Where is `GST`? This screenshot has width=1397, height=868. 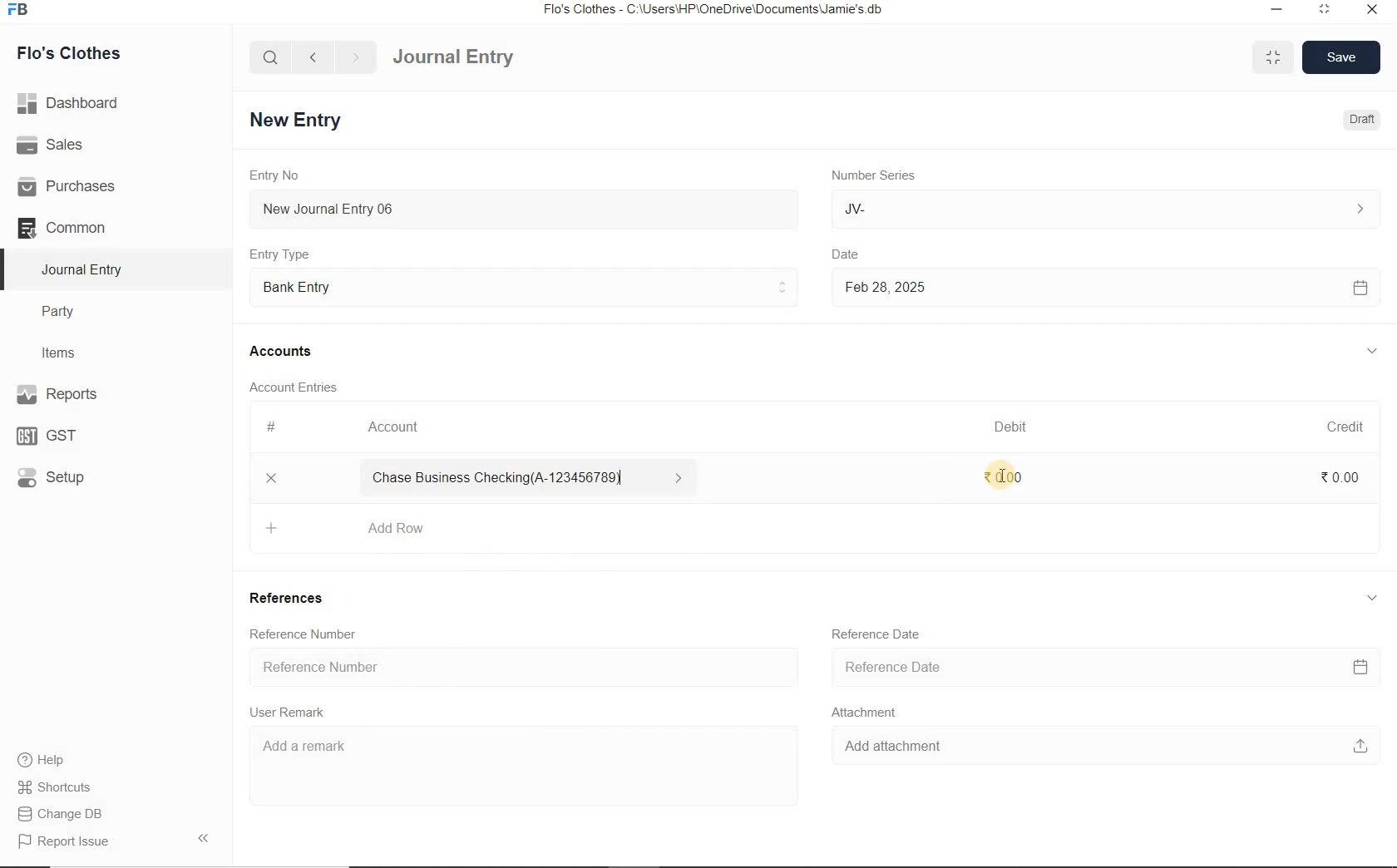
GST is located at coordinates (54, 434).